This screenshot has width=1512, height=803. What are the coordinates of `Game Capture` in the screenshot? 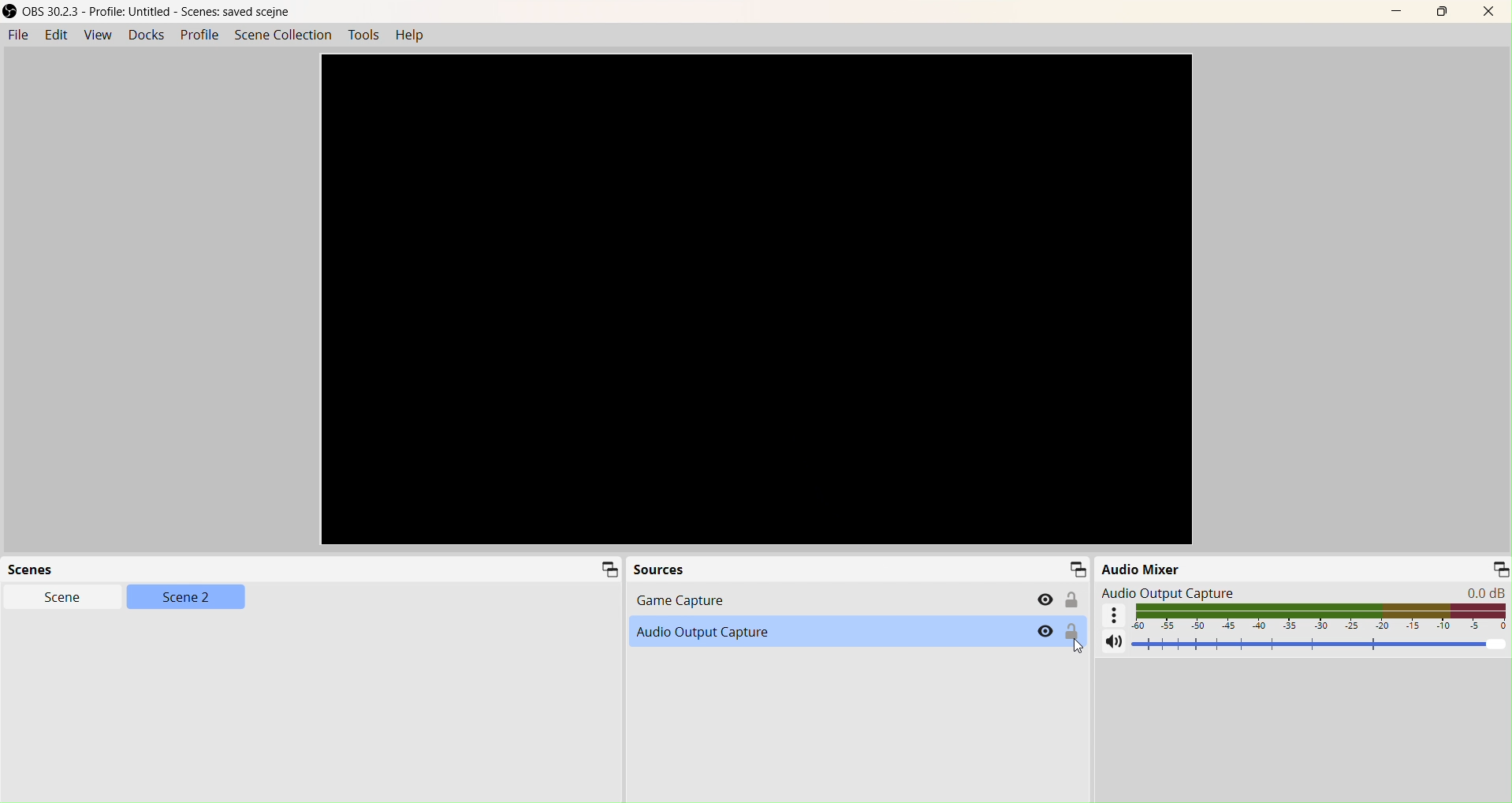 It's located at (849, 600).